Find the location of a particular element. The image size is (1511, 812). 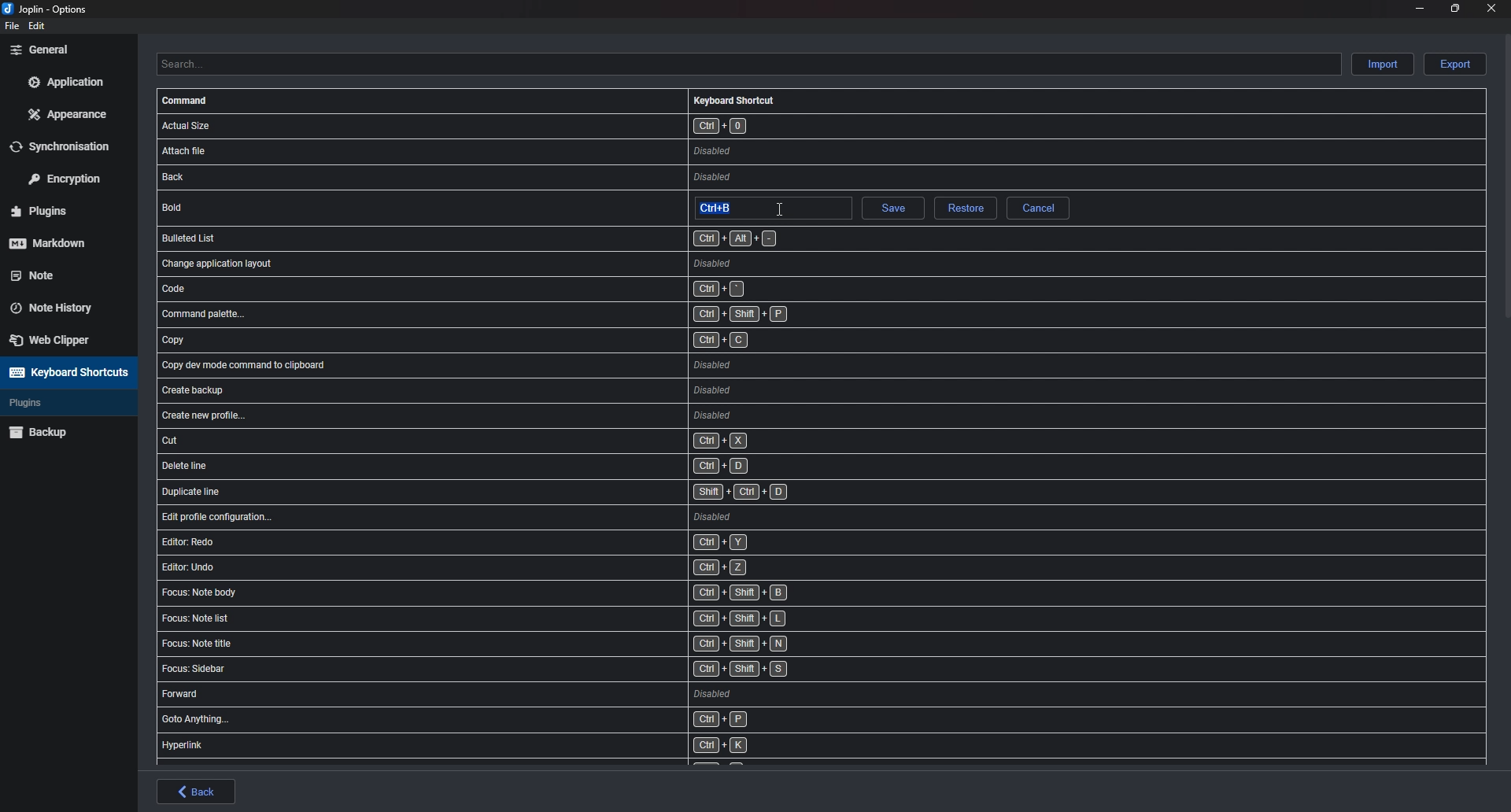

hotkey is located at coordinates (729, 208).